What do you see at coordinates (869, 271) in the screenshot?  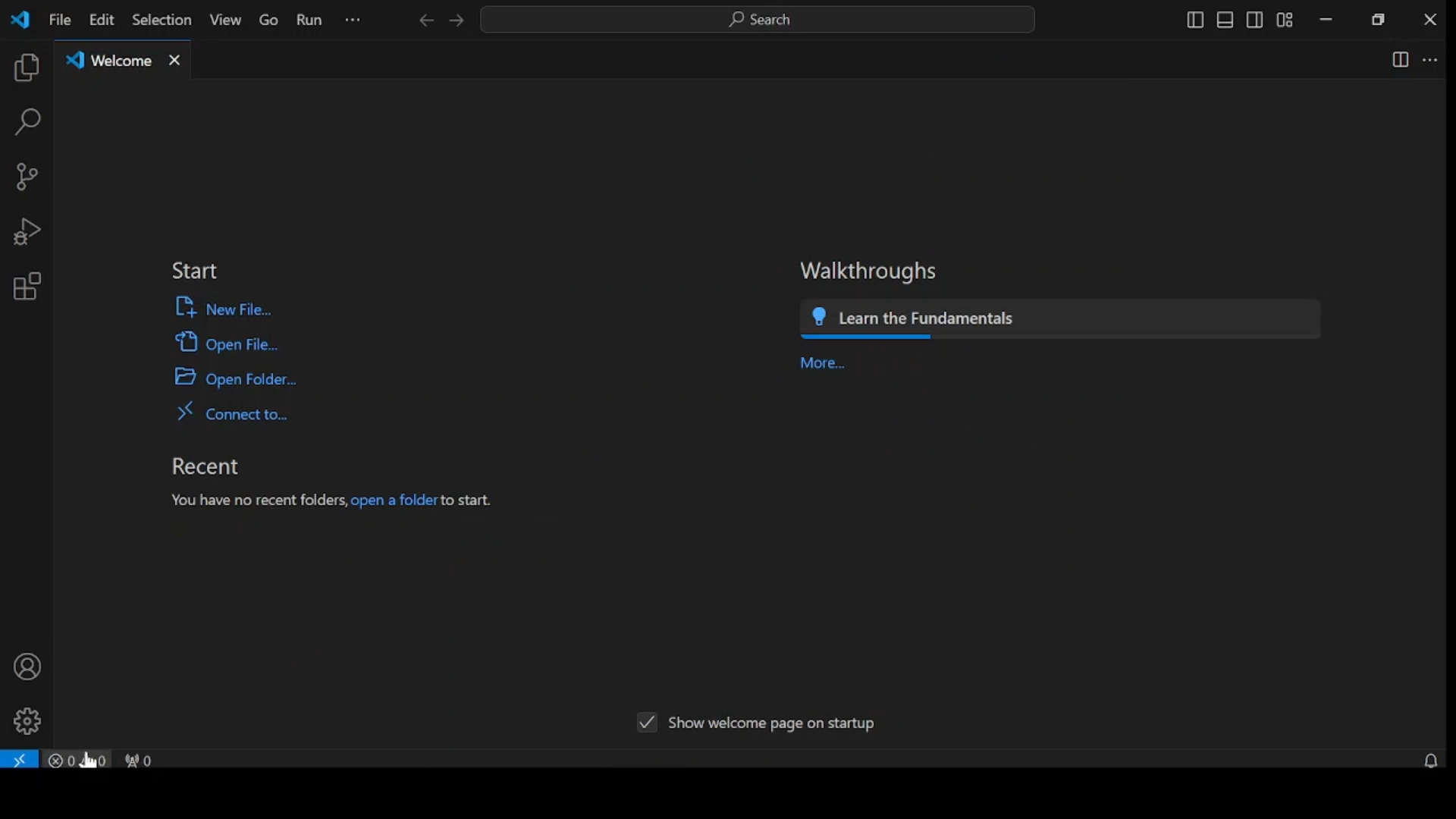 I see `walkthroughs` at bounding box center [869, 271].